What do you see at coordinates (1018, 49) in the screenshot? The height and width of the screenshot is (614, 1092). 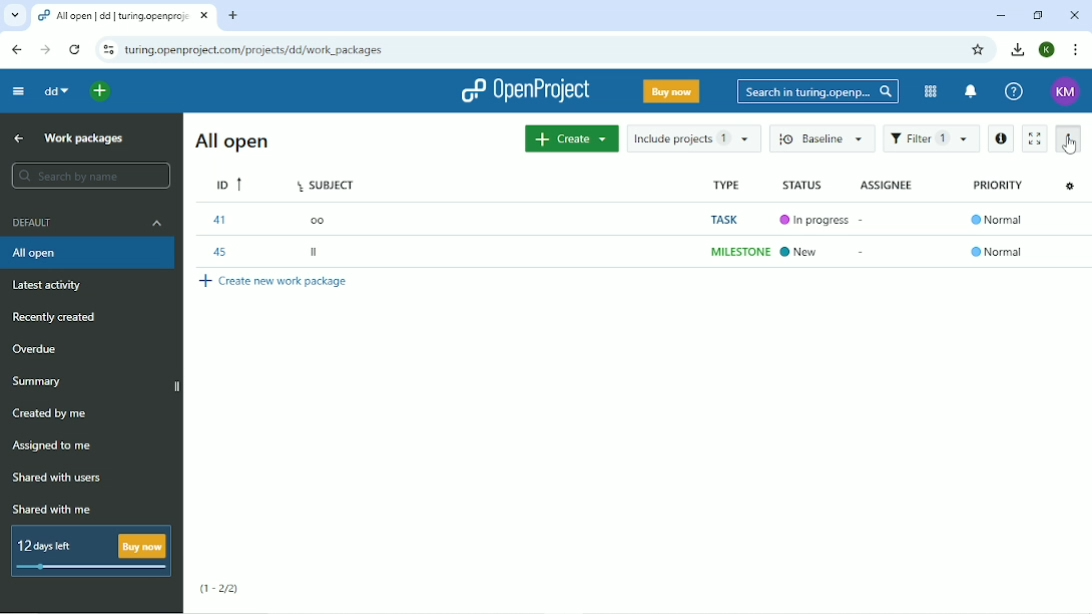 I see `Downloads` at bounding box center [1018, 49].